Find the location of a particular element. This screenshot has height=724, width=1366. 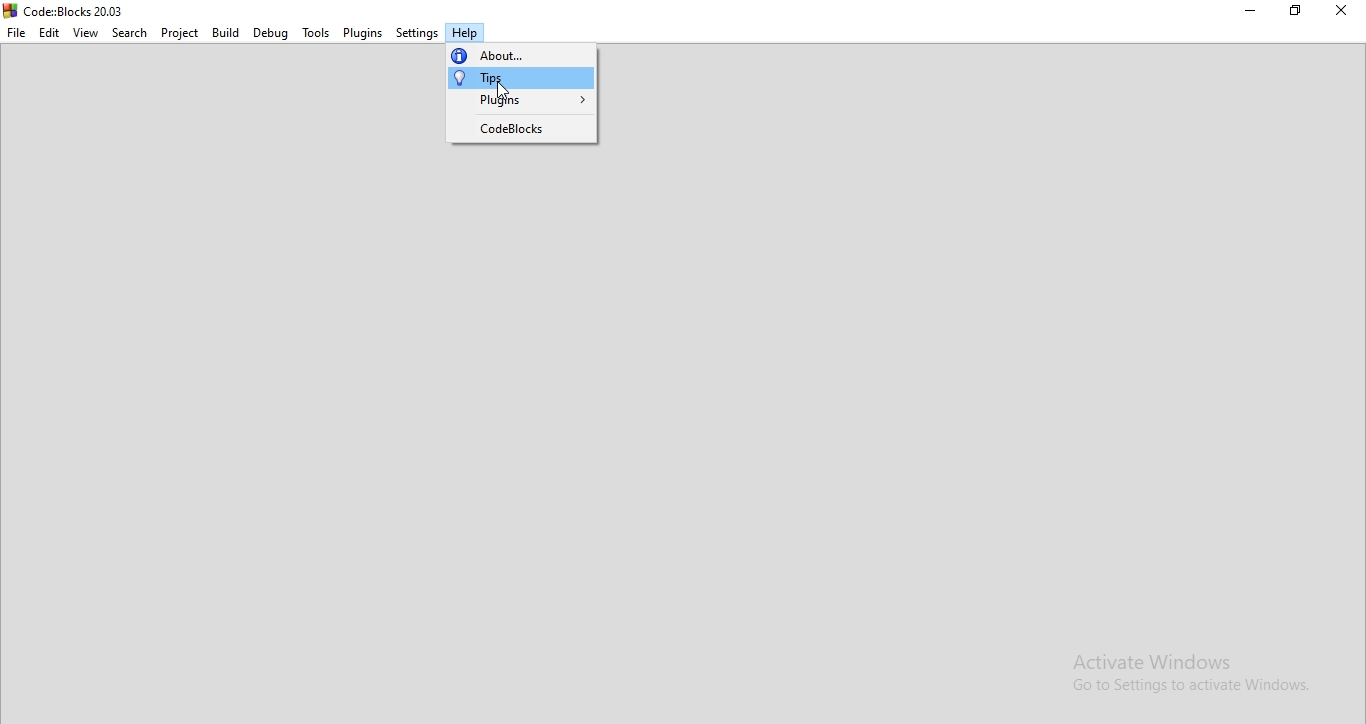

Minimise is located at coordinates (1252, 13).